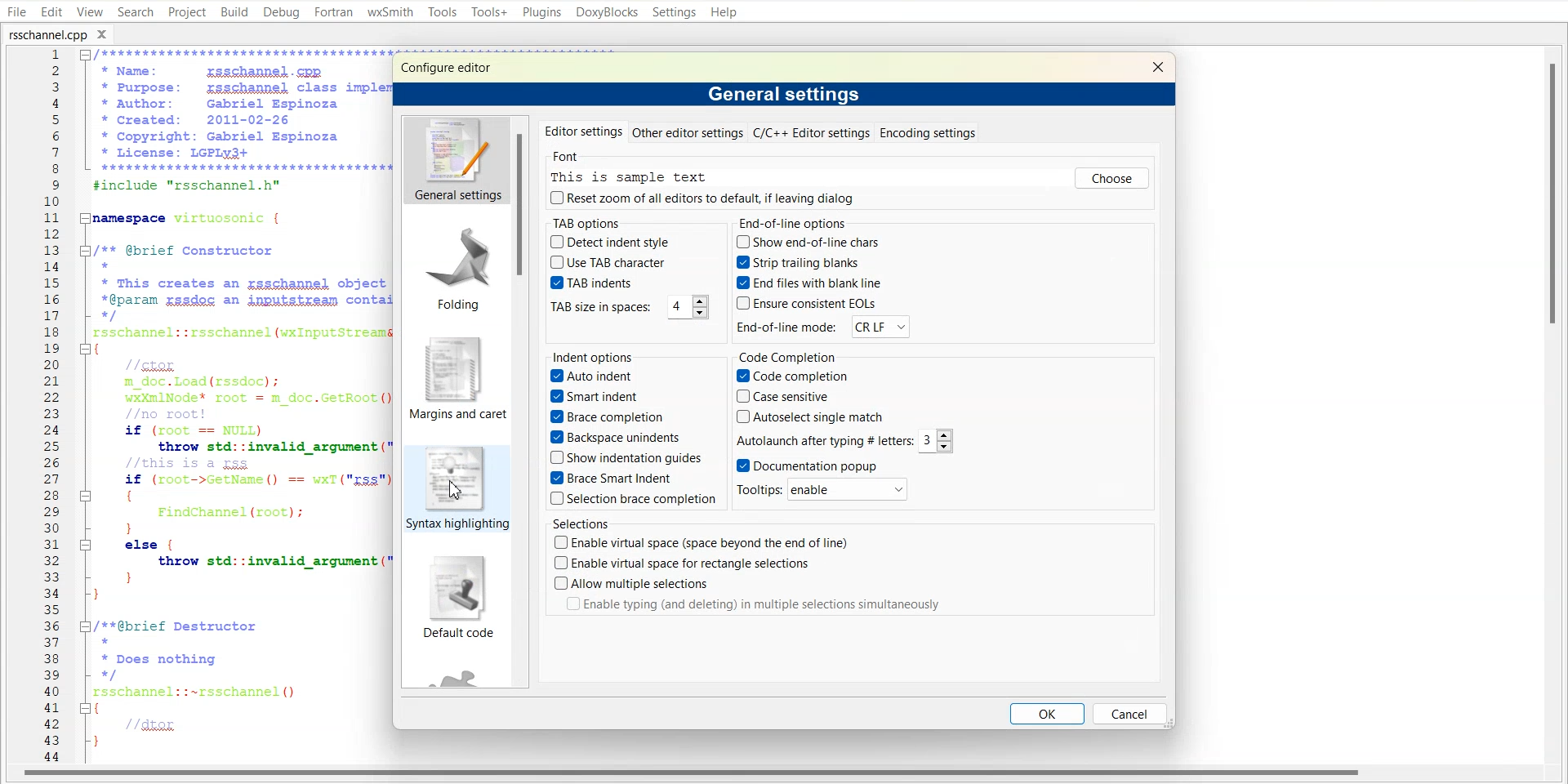 This screenshot has width=1568, height=784. I want to click on Debug, so click(282, 13).